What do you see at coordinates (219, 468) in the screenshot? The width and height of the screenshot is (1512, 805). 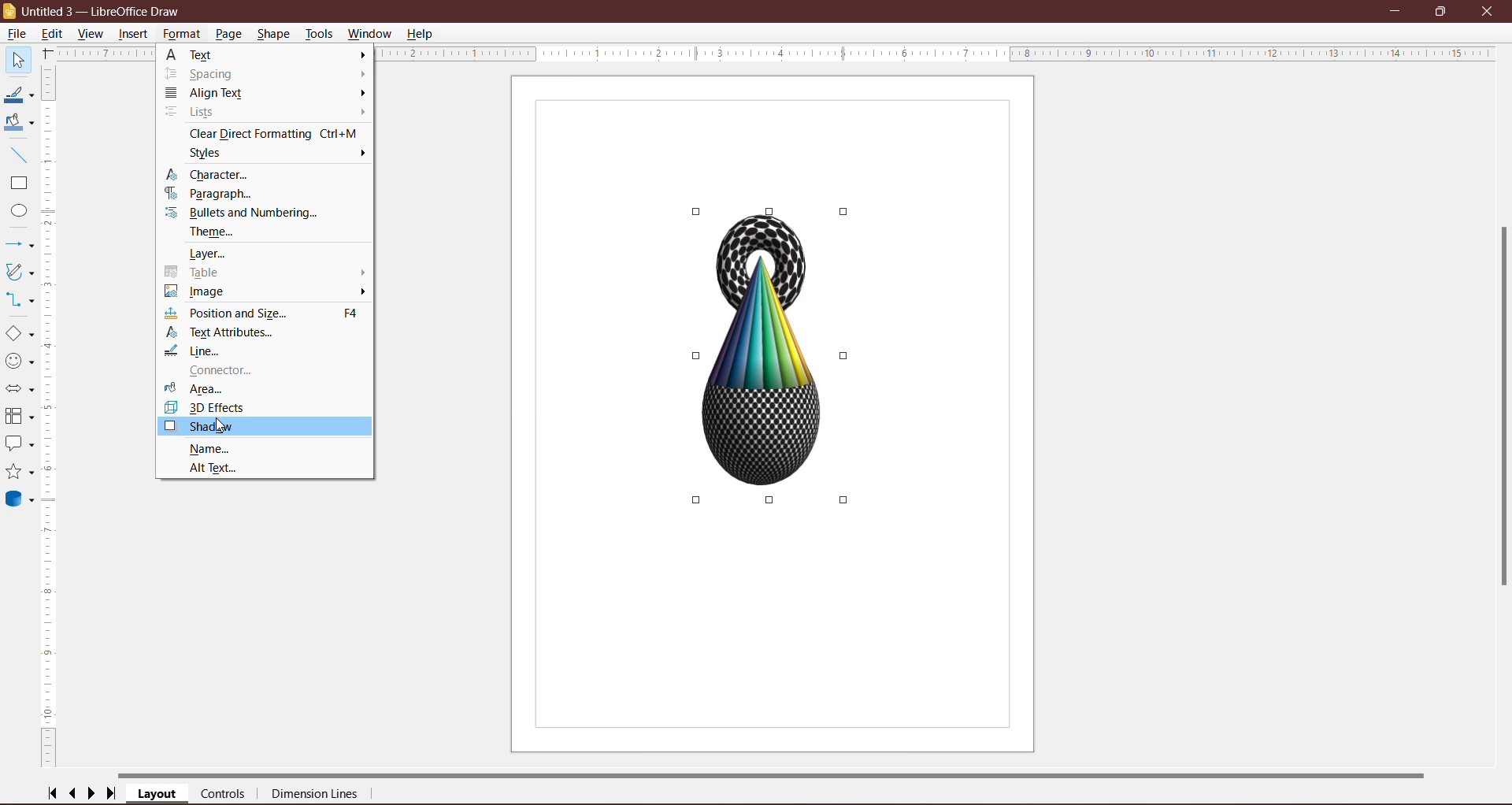 I see `Alt Text` at bounding box center [219, 468].